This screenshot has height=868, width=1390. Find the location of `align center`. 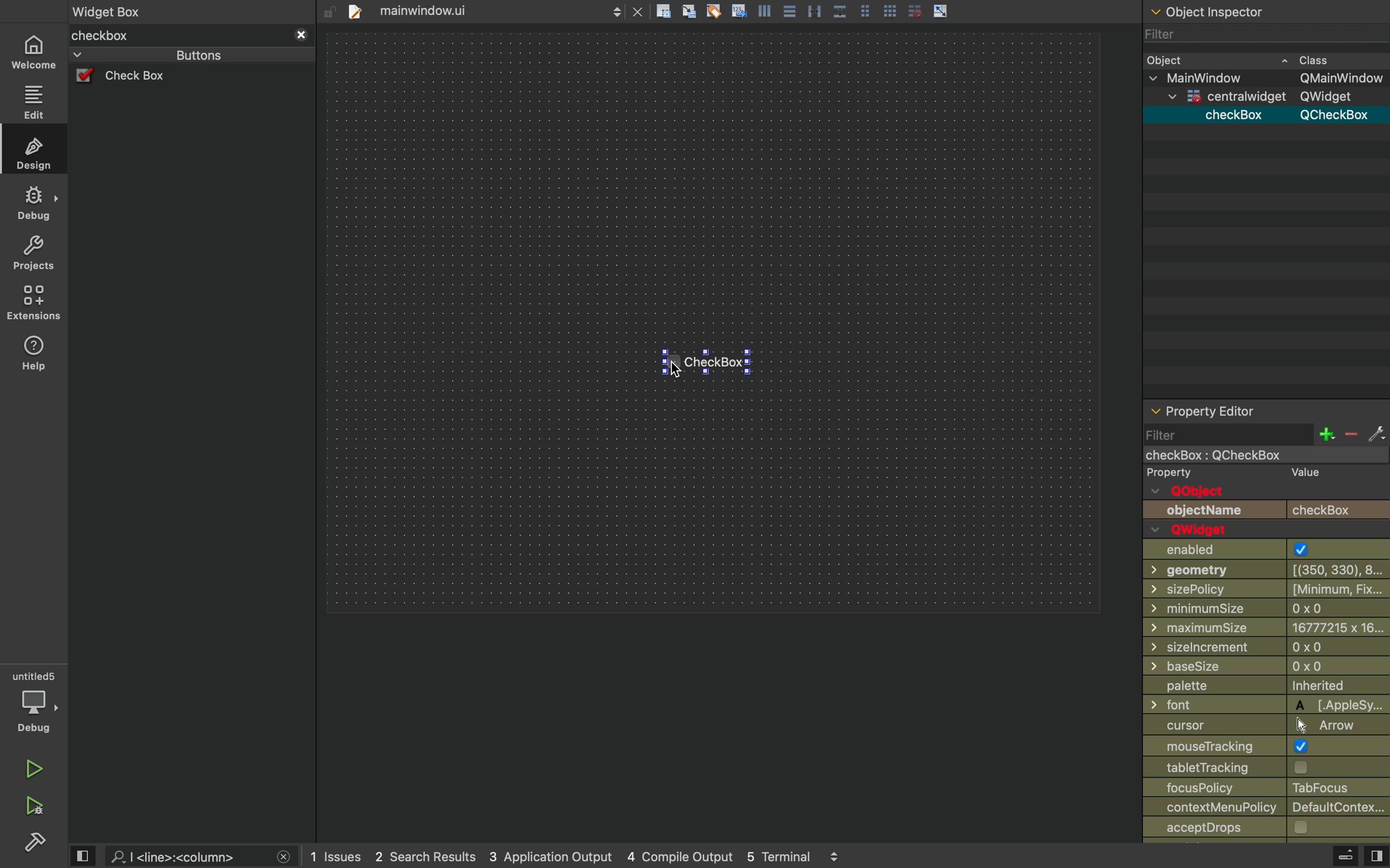

align center is located at coordinates (790, 10).